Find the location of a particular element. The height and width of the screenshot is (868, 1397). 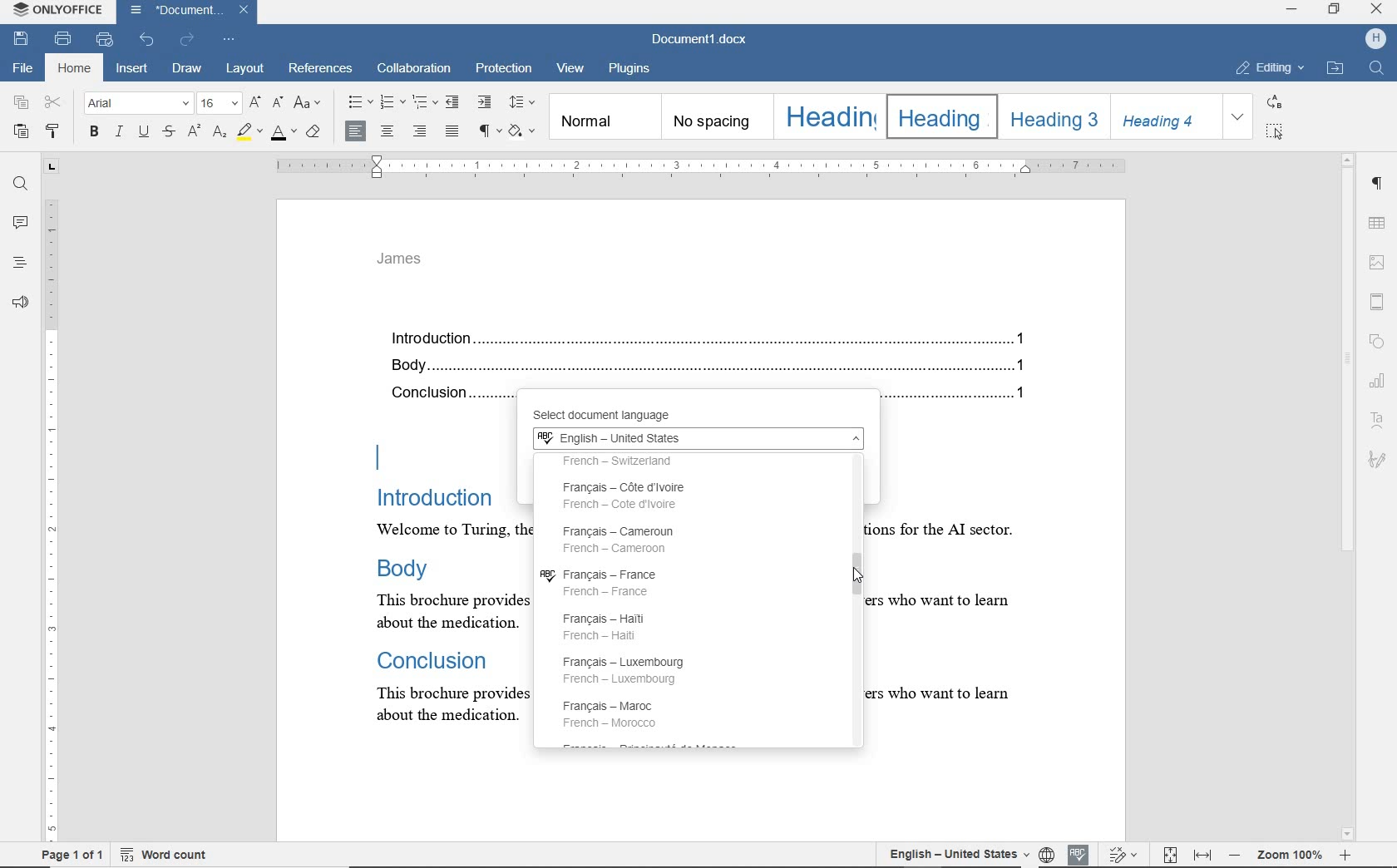

CLOSE is located at coordinates (1375, 9).